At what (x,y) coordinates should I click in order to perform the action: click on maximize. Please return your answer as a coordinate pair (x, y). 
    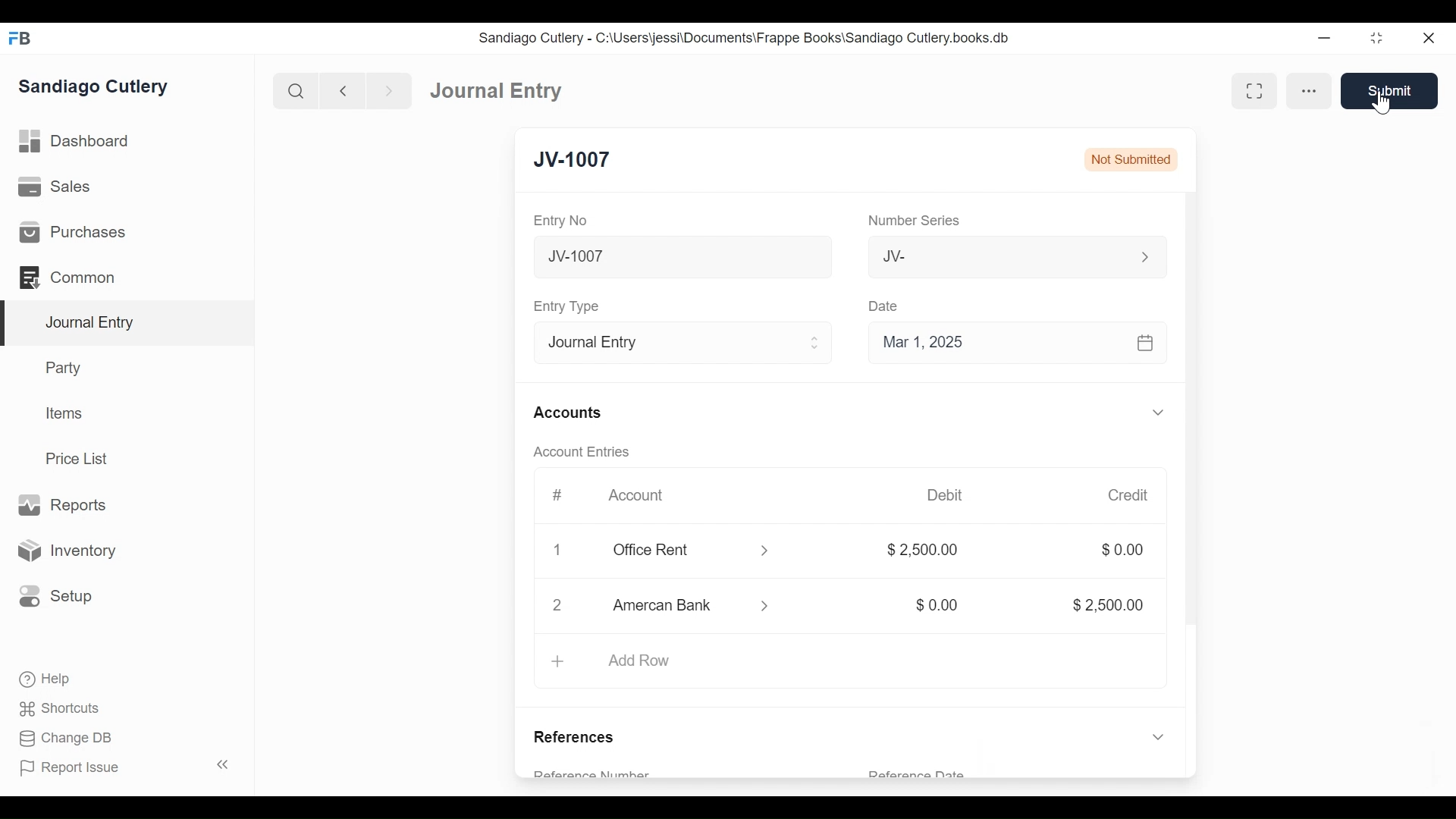
    Looking at the image, I should click on (1378, 37).